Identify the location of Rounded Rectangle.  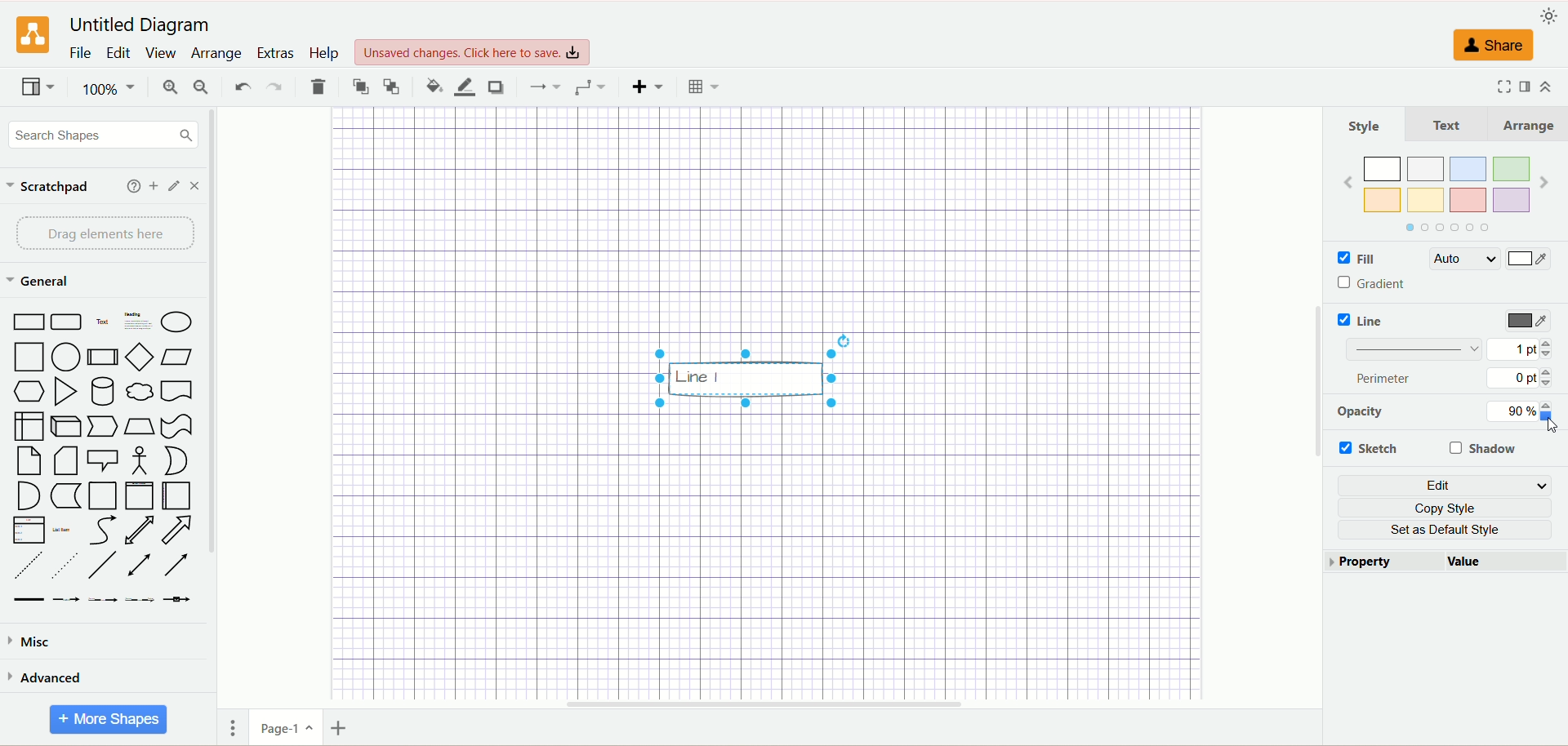
(69, 322).